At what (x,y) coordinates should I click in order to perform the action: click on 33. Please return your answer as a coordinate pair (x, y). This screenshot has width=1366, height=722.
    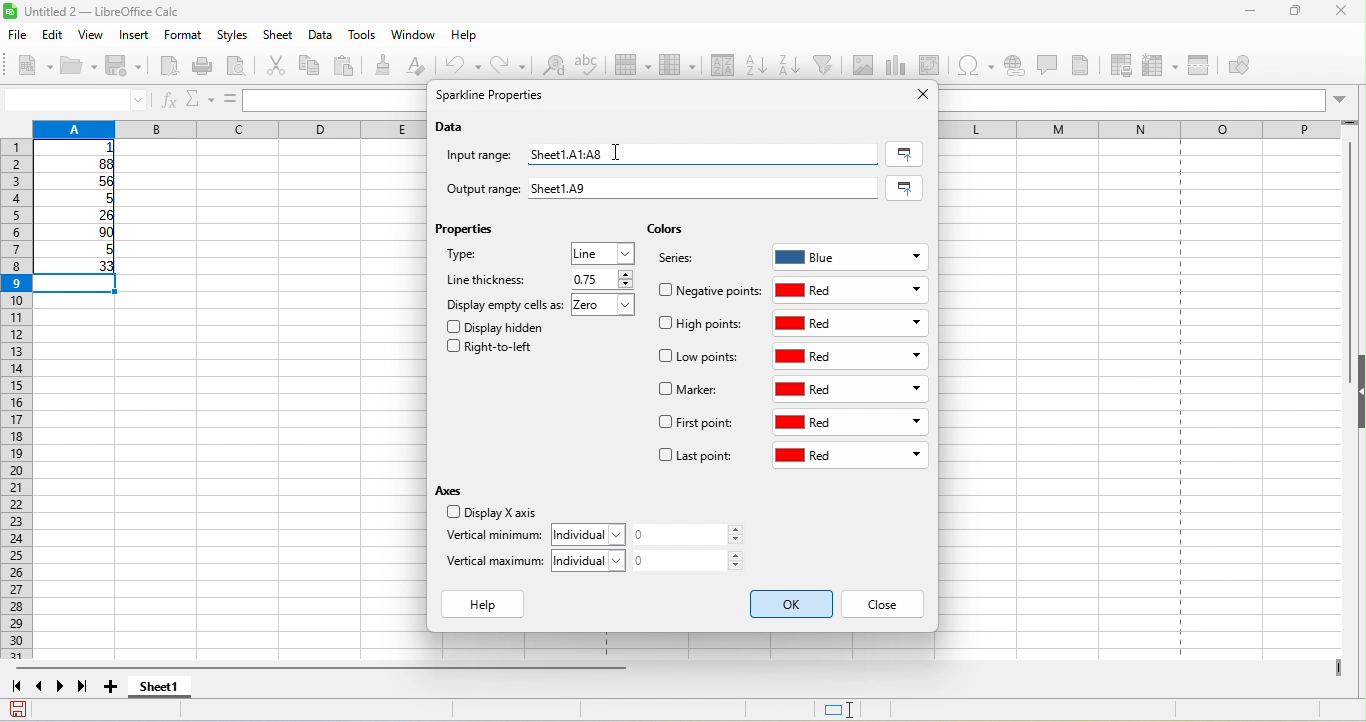
    Looking at the image, I should click on (78, 267).